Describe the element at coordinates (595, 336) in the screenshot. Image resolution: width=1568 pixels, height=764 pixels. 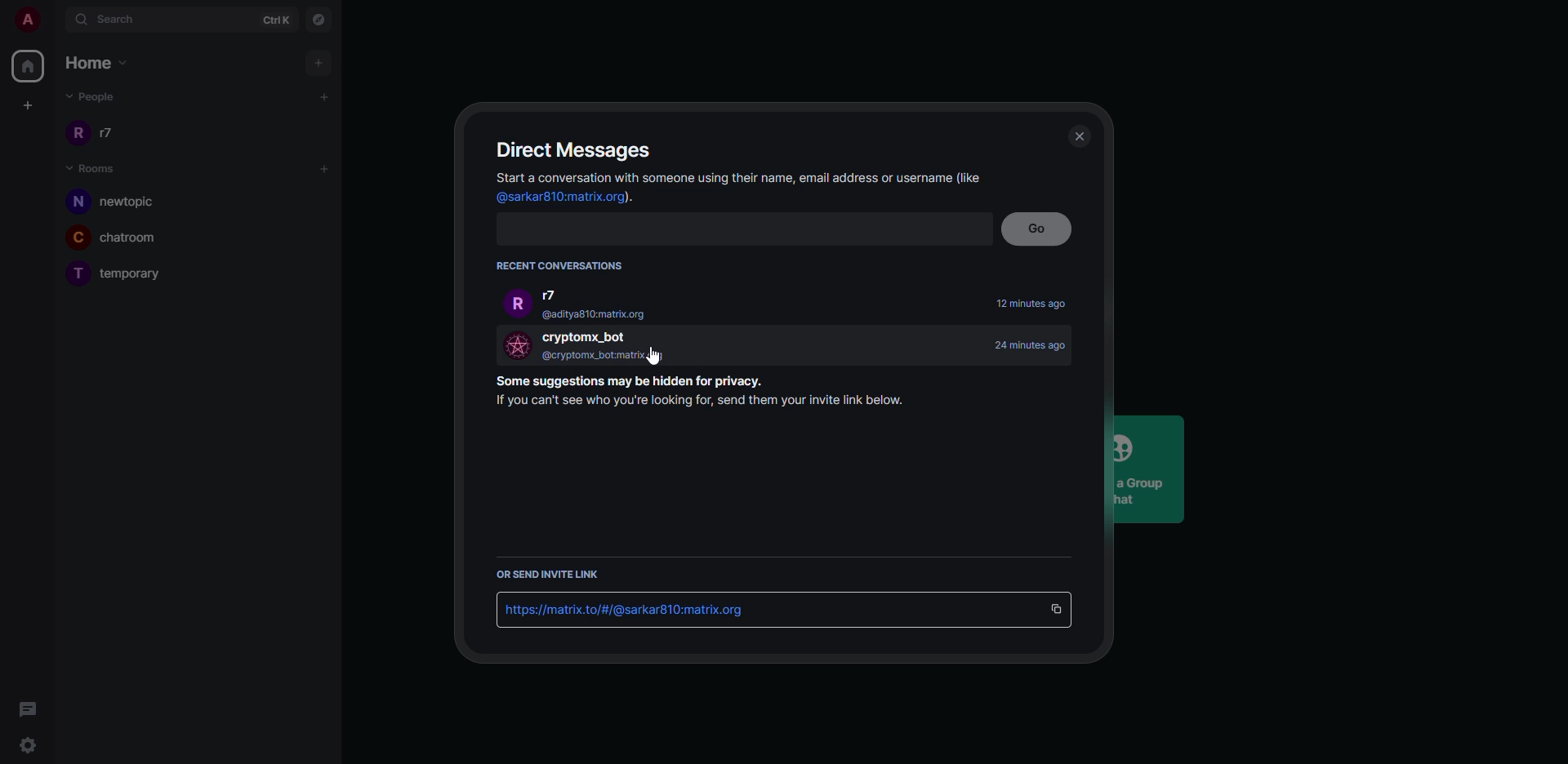
I see `bot` at that location.